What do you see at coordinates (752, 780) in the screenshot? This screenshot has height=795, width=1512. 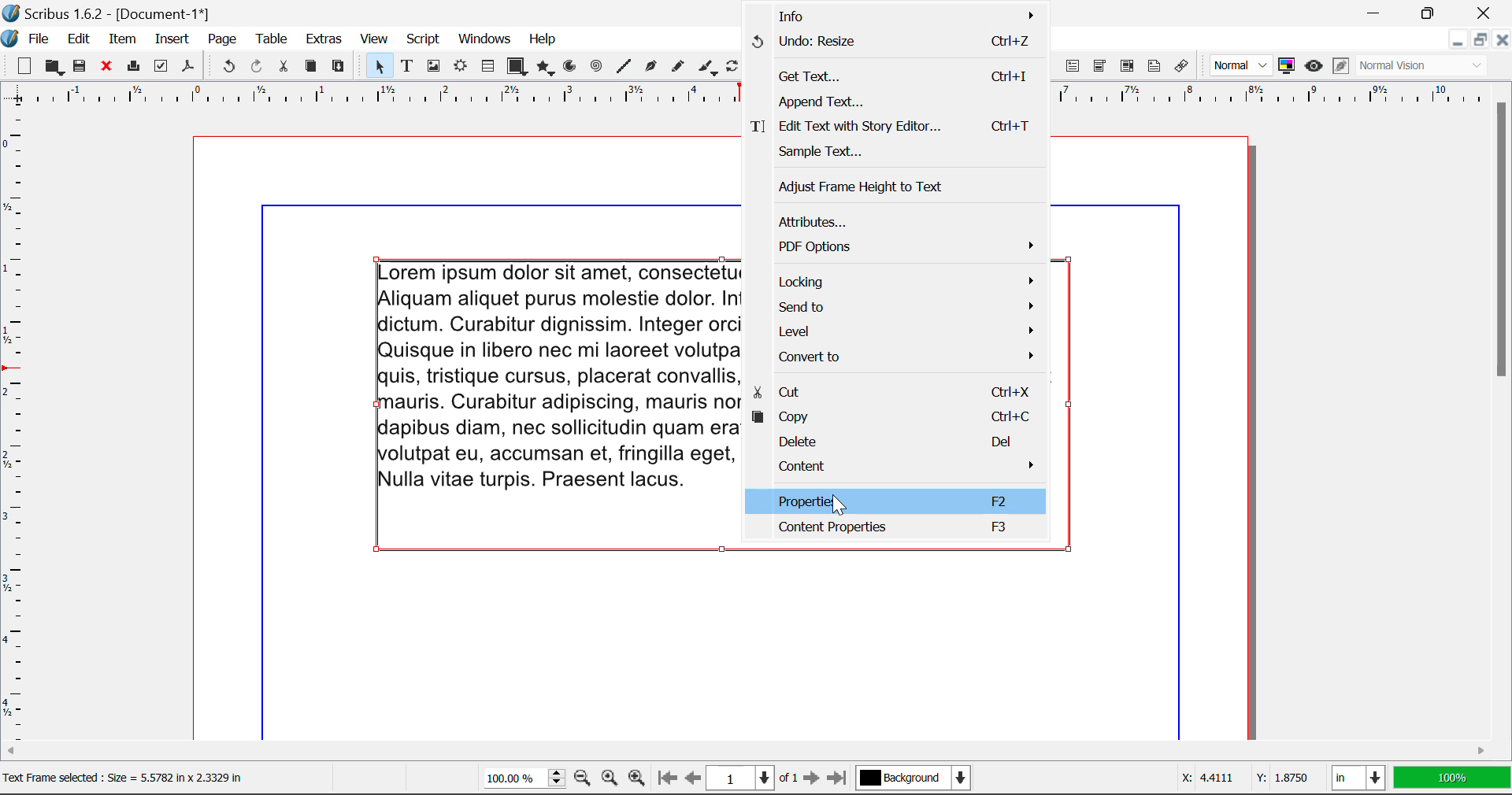 I see `Page 1 of 1` at bounding box center [752, 780].